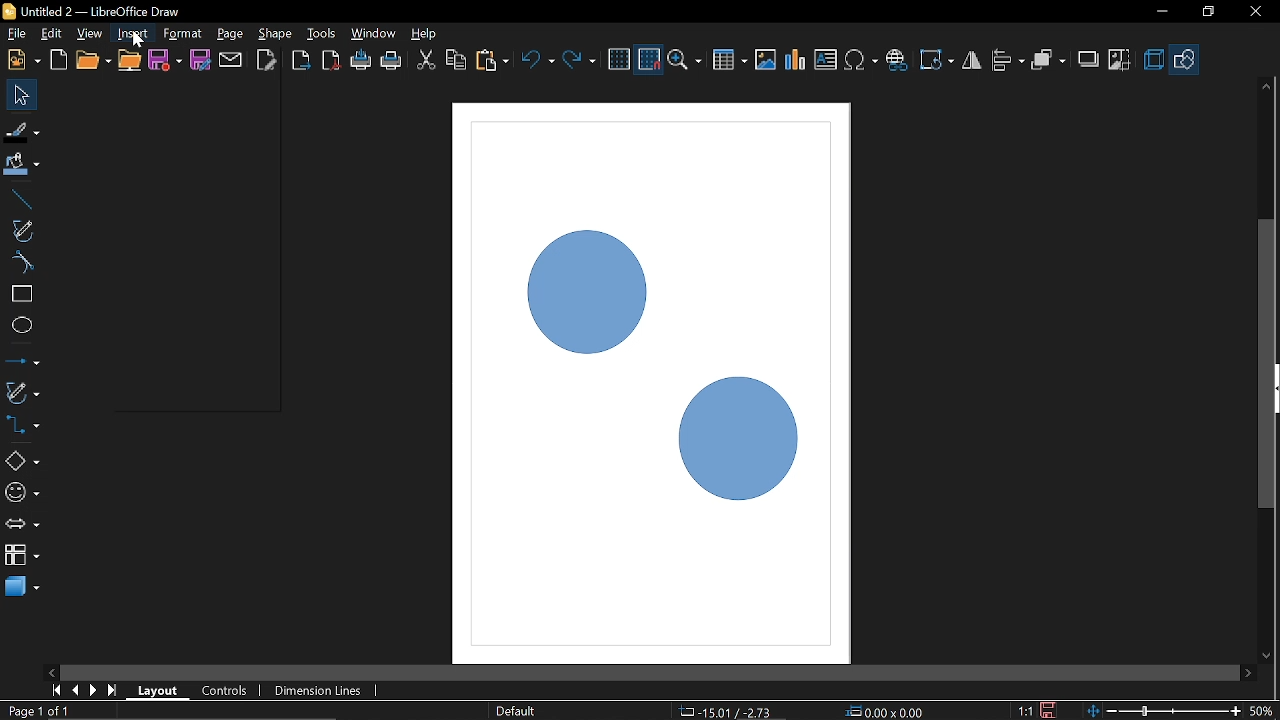 This screenshot has width=1280, height=720. I want to click on Help, so click(426, 33).